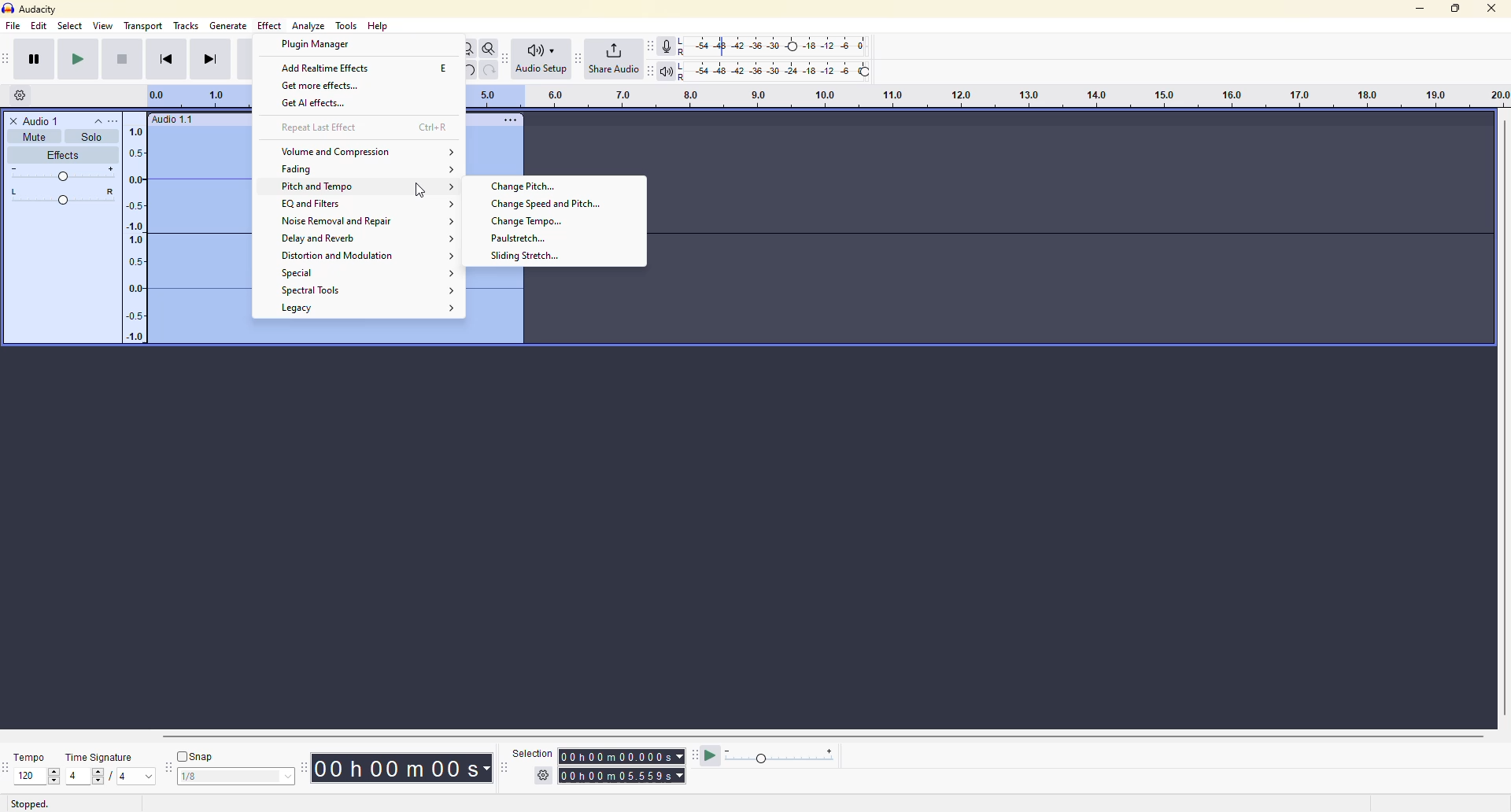 The image size is (1511, 812). I want to click on timeline options, so click(20, 94).